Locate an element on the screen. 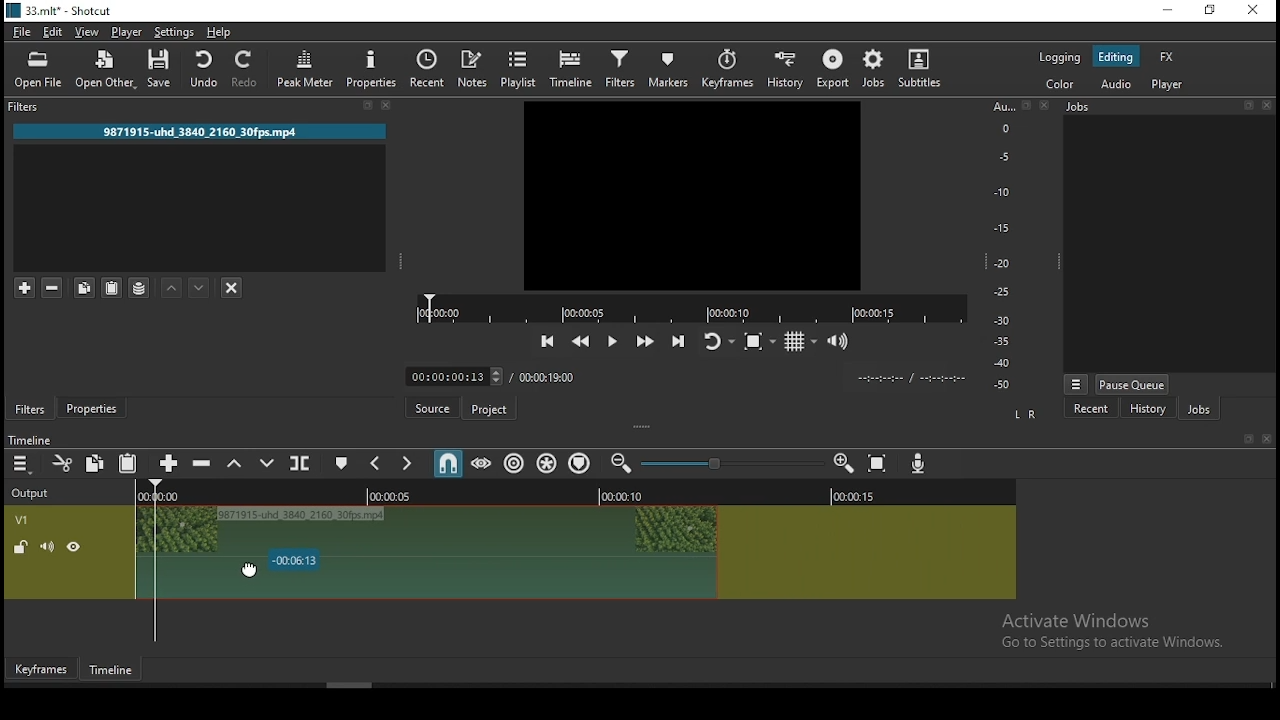 This screenshot has width=1280, height=720. add a filter is located at coordinates (24, 287).